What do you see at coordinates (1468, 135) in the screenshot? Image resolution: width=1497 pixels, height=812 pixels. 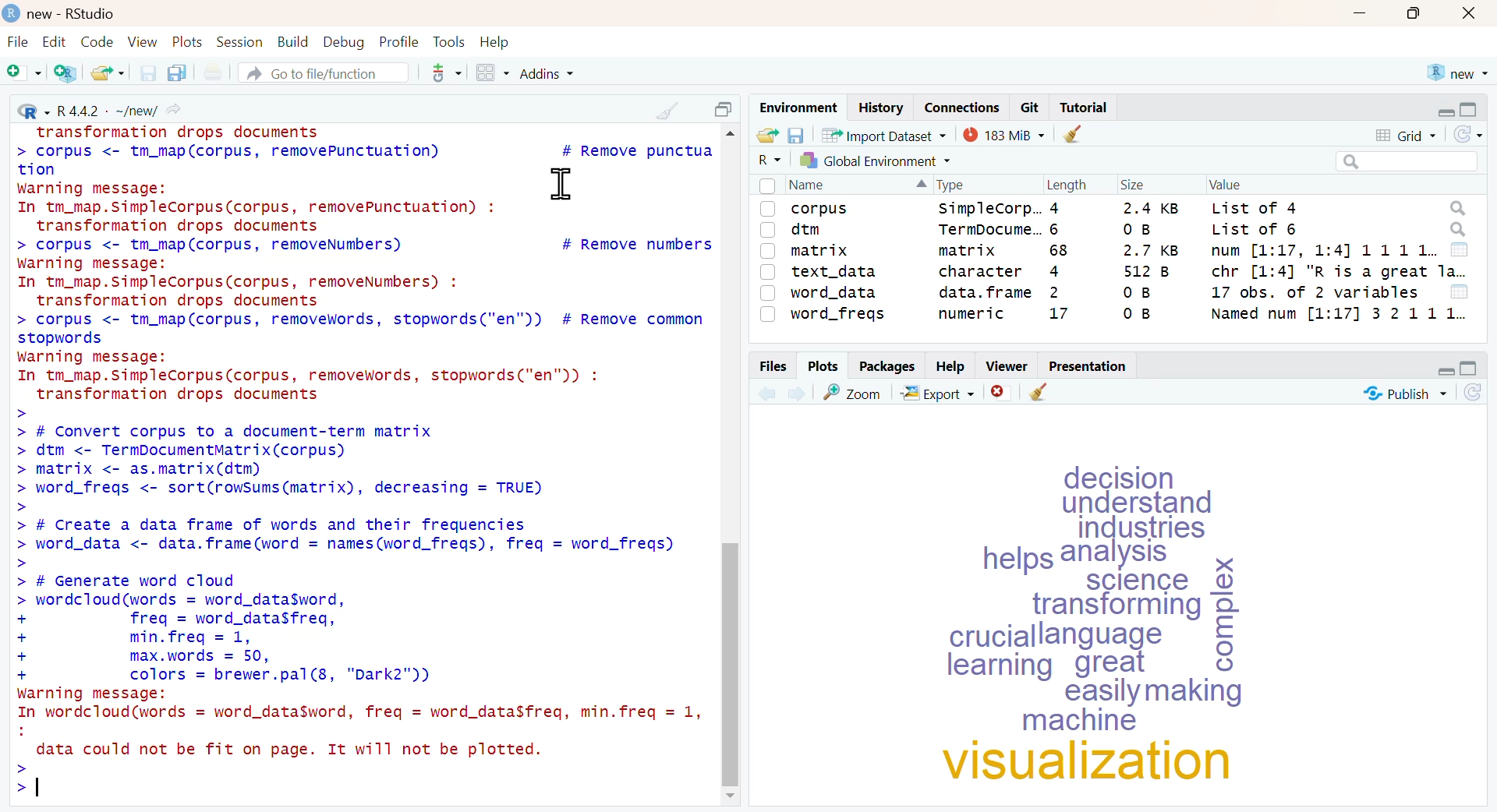 I see `Refresh` at bounding box center [1468, 135].